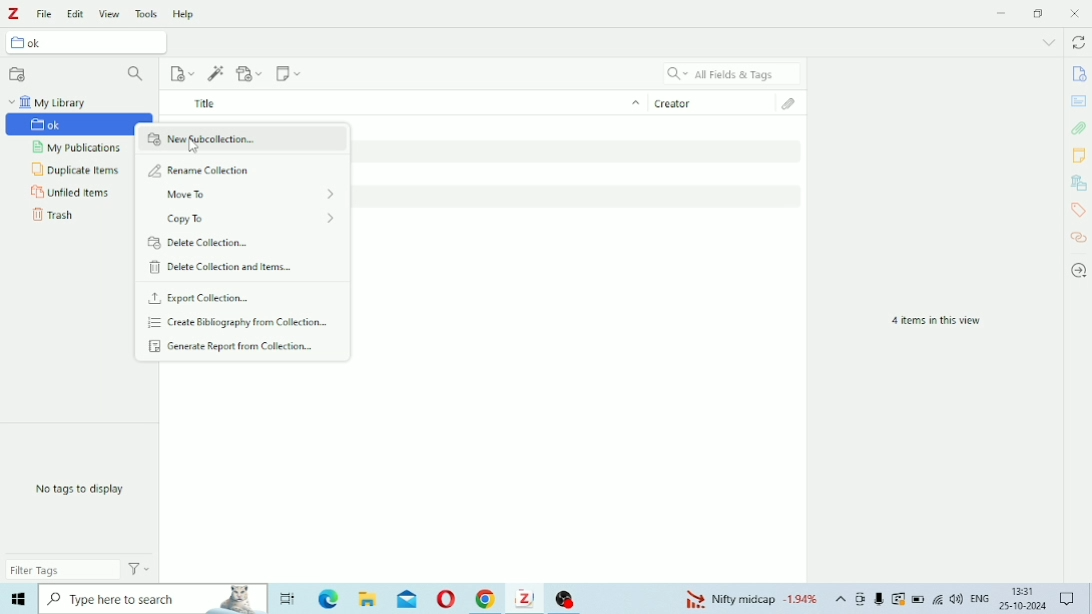 The height and width of the screenshot is (614, 1092). I want to click on Create Bibliography from Collection, so click(236, 323).